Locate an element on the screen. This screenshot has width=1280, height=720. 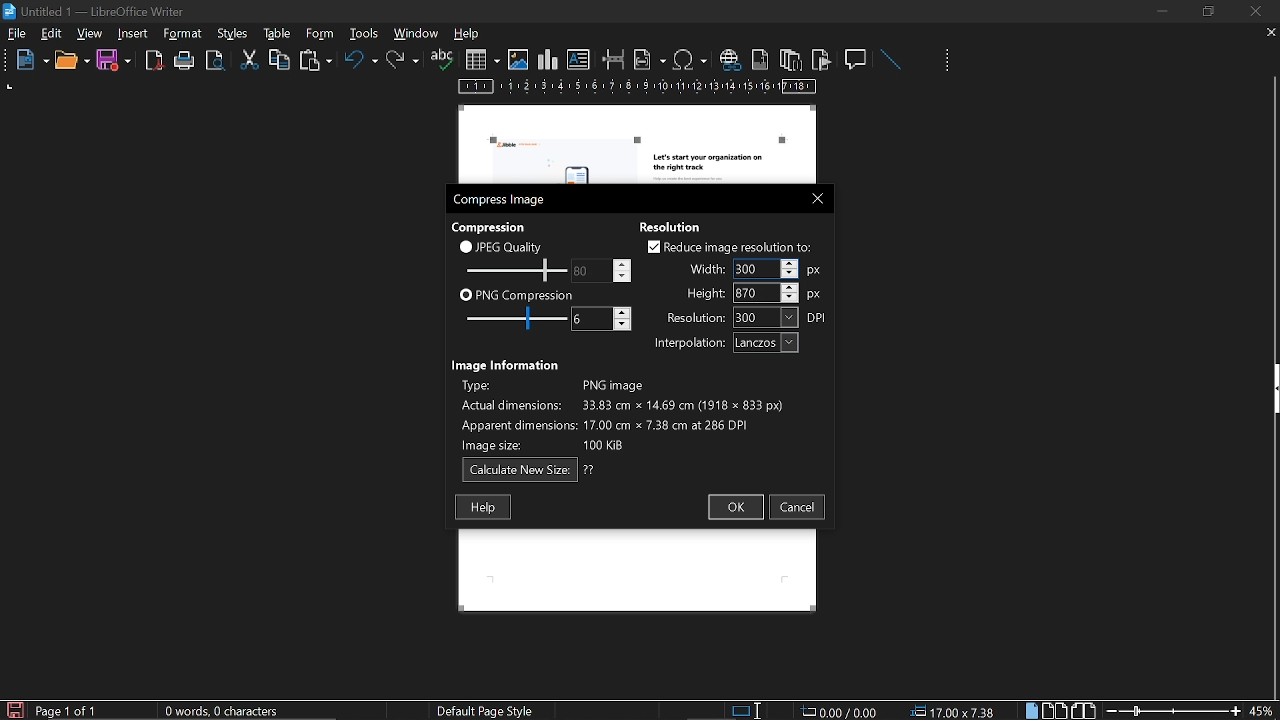
interpolation is located at coordinates (722, 343).